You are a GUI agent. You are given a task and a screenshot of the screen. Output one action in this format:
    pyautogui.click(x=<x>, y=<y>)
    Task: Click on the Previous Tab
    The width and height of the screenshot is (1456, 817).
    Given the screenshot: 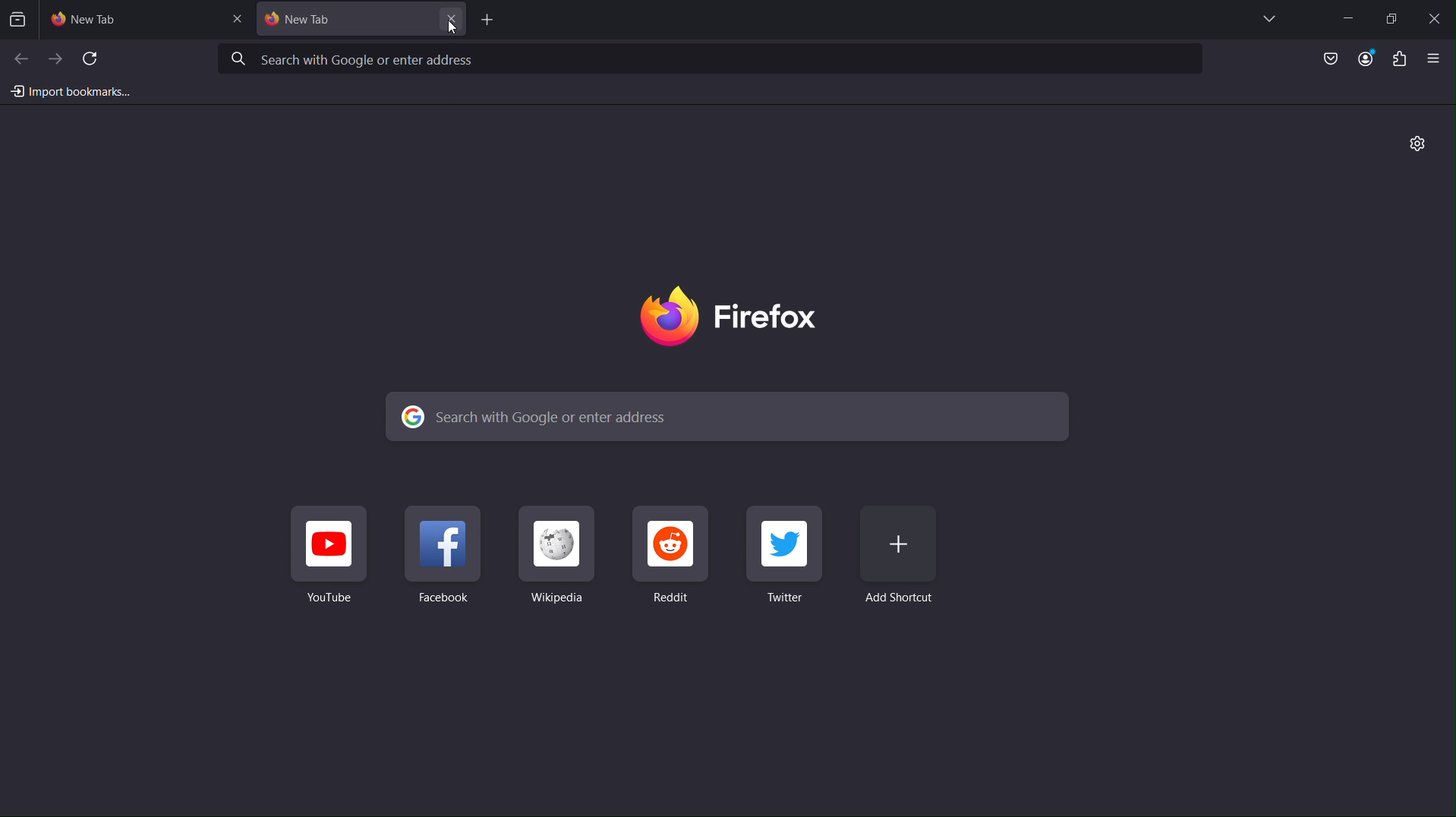 What is the action you would take?
    pyautogui.click(x=19, y=56)
    